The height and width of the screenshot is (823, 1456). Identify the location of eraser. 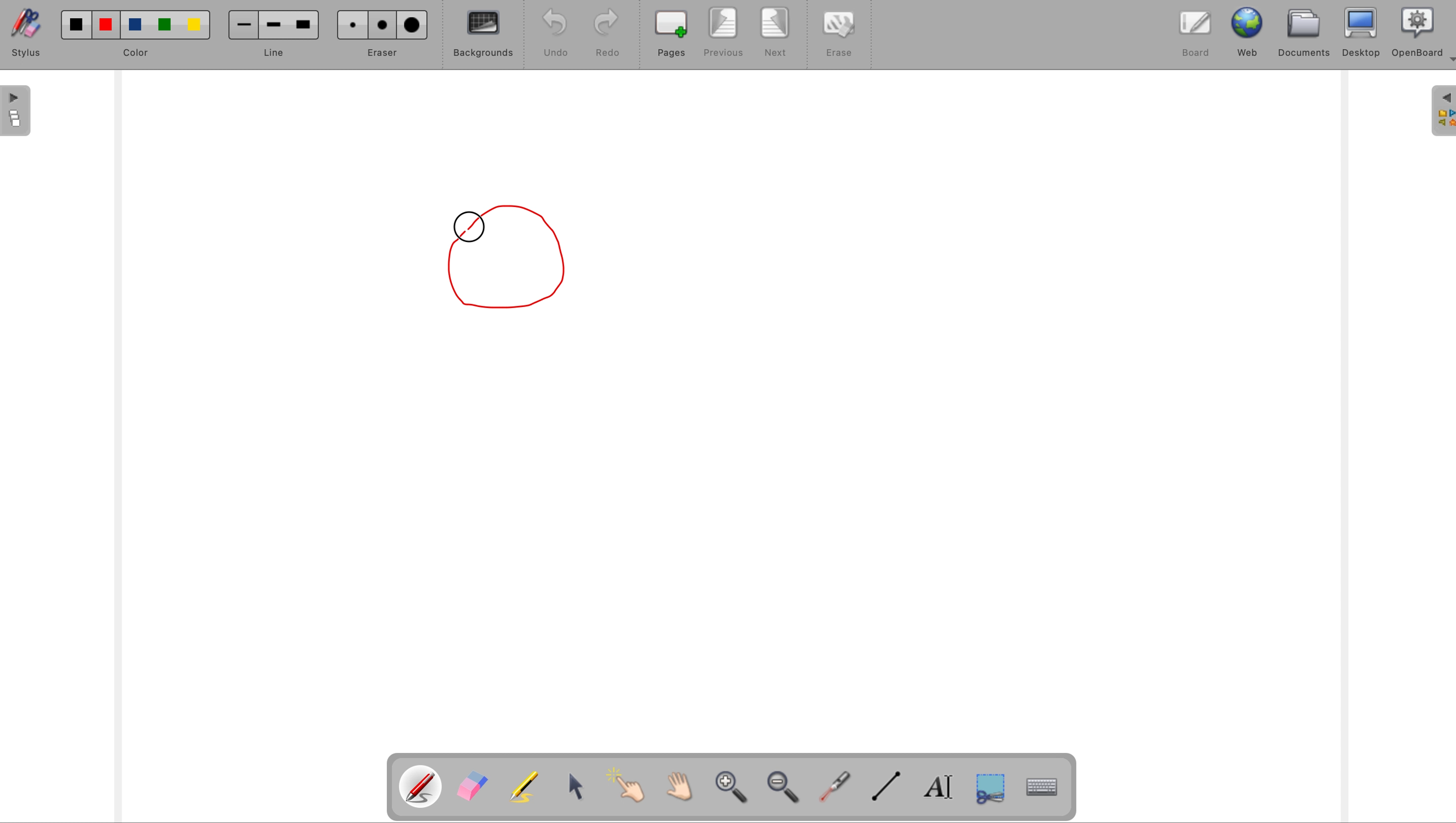
(473, 787).